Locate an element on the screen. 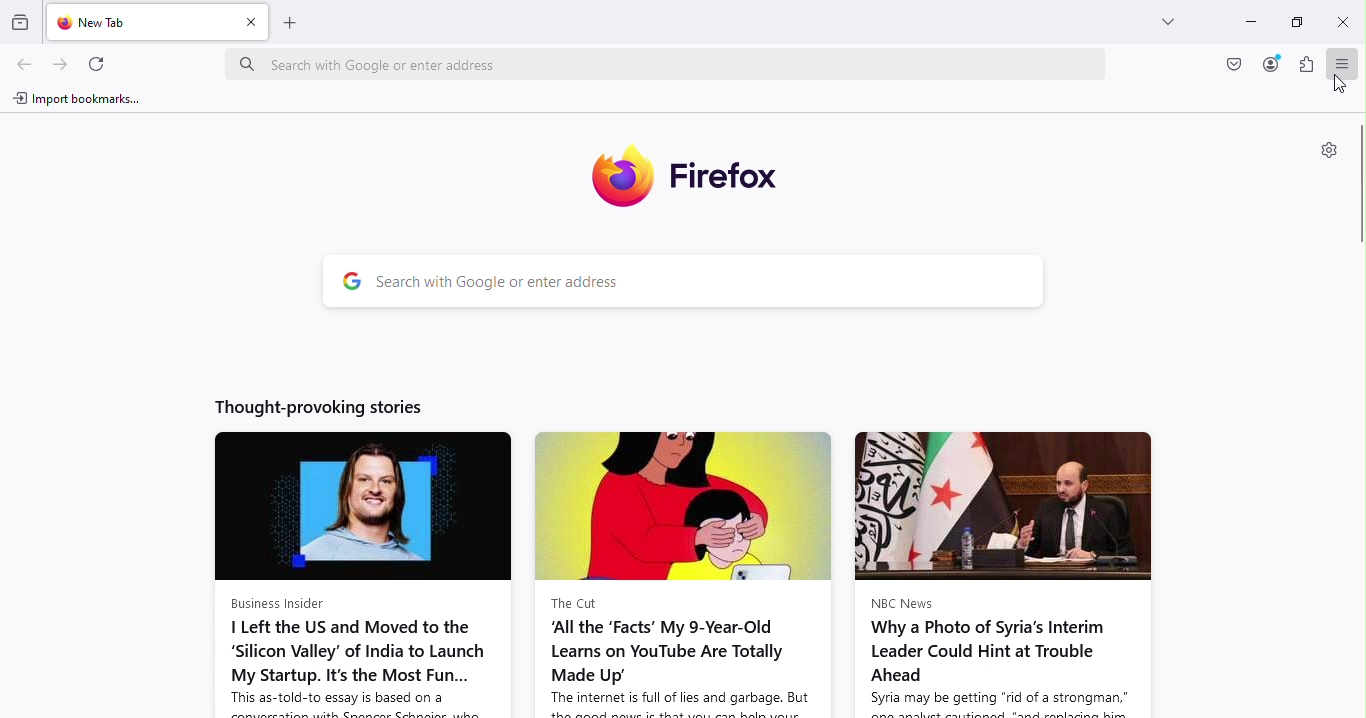 This screenshot has width=1366, height=718. Go back one page is located at coordinates (26, 66).